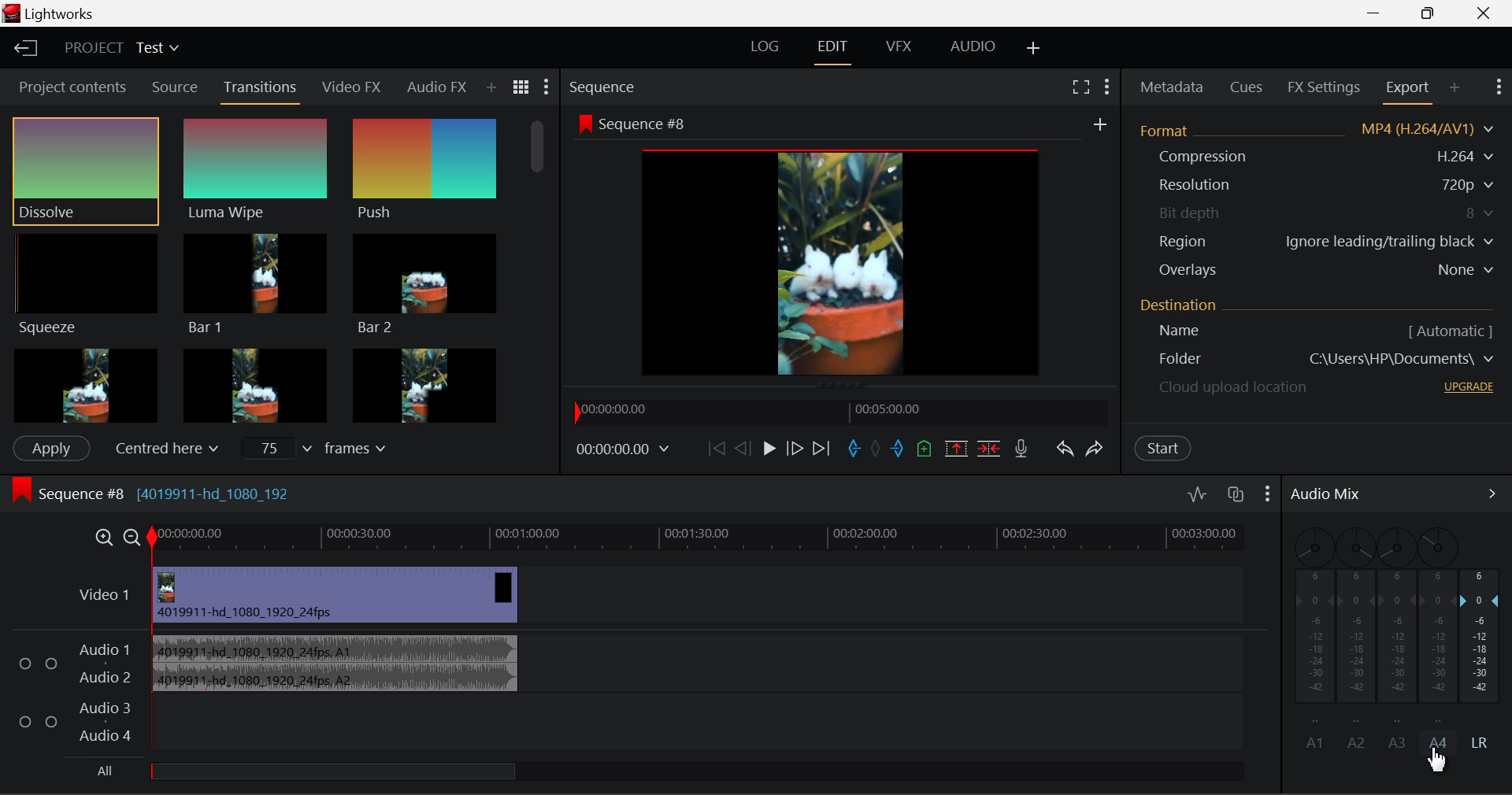 This screenshot has height=795, width=1512. I want to click on Remove marked section, so click(955, 448).